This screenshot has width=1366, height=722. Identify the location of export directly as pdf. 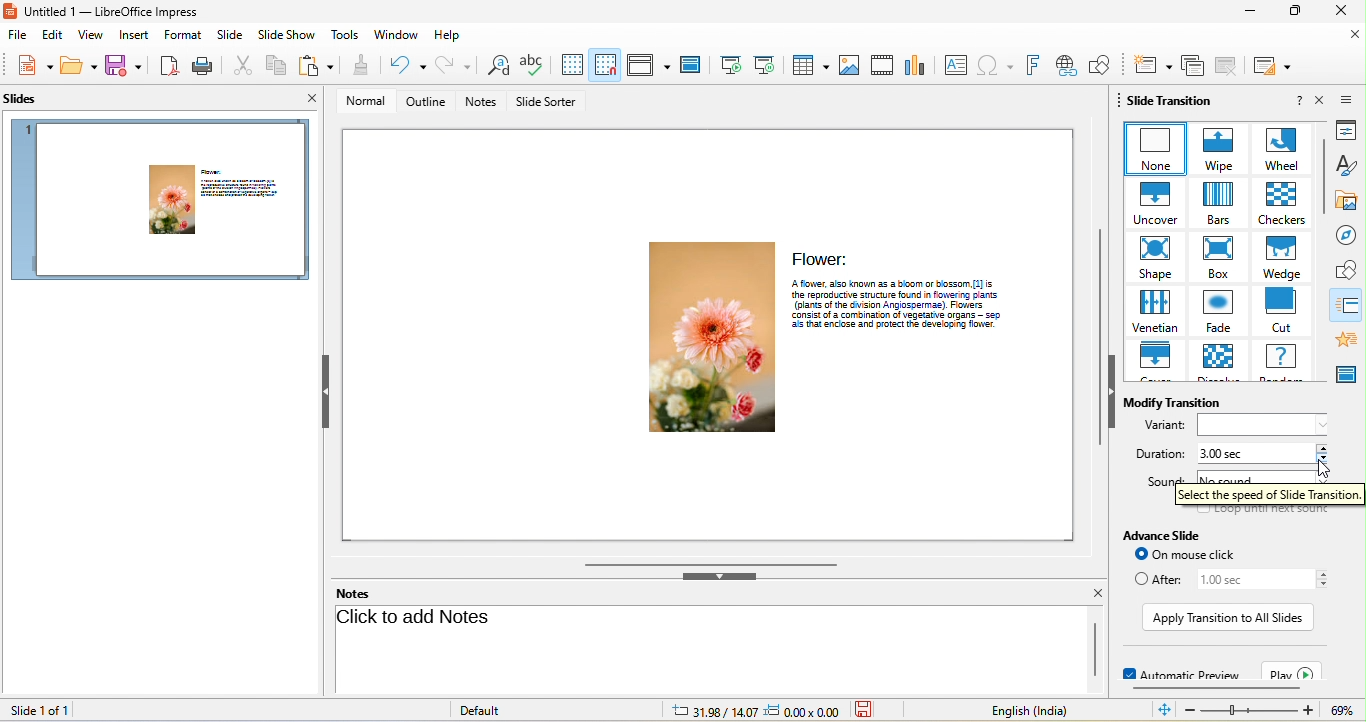
(170, 66).